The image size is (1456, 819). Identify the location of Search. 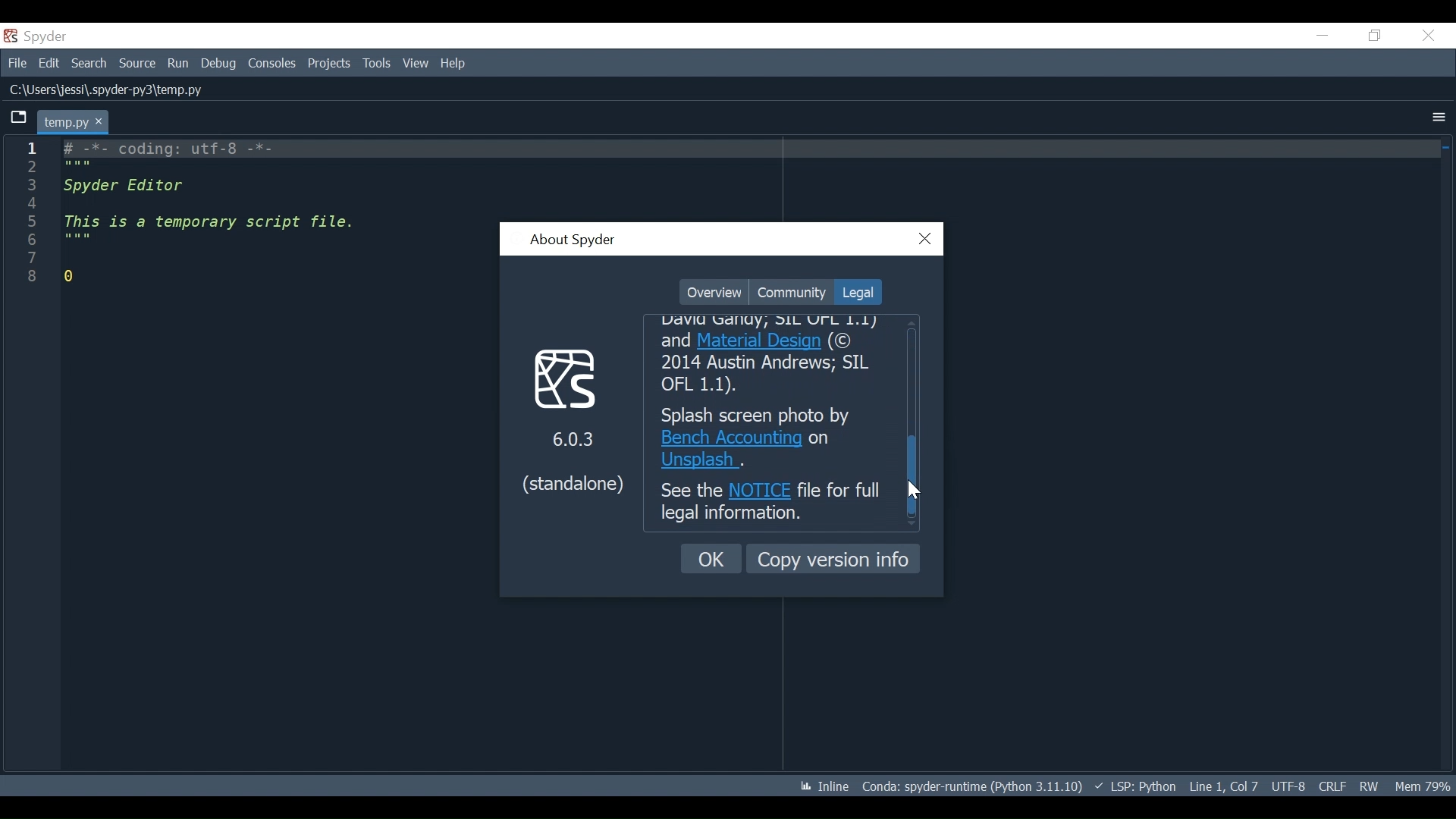
(89, 63).